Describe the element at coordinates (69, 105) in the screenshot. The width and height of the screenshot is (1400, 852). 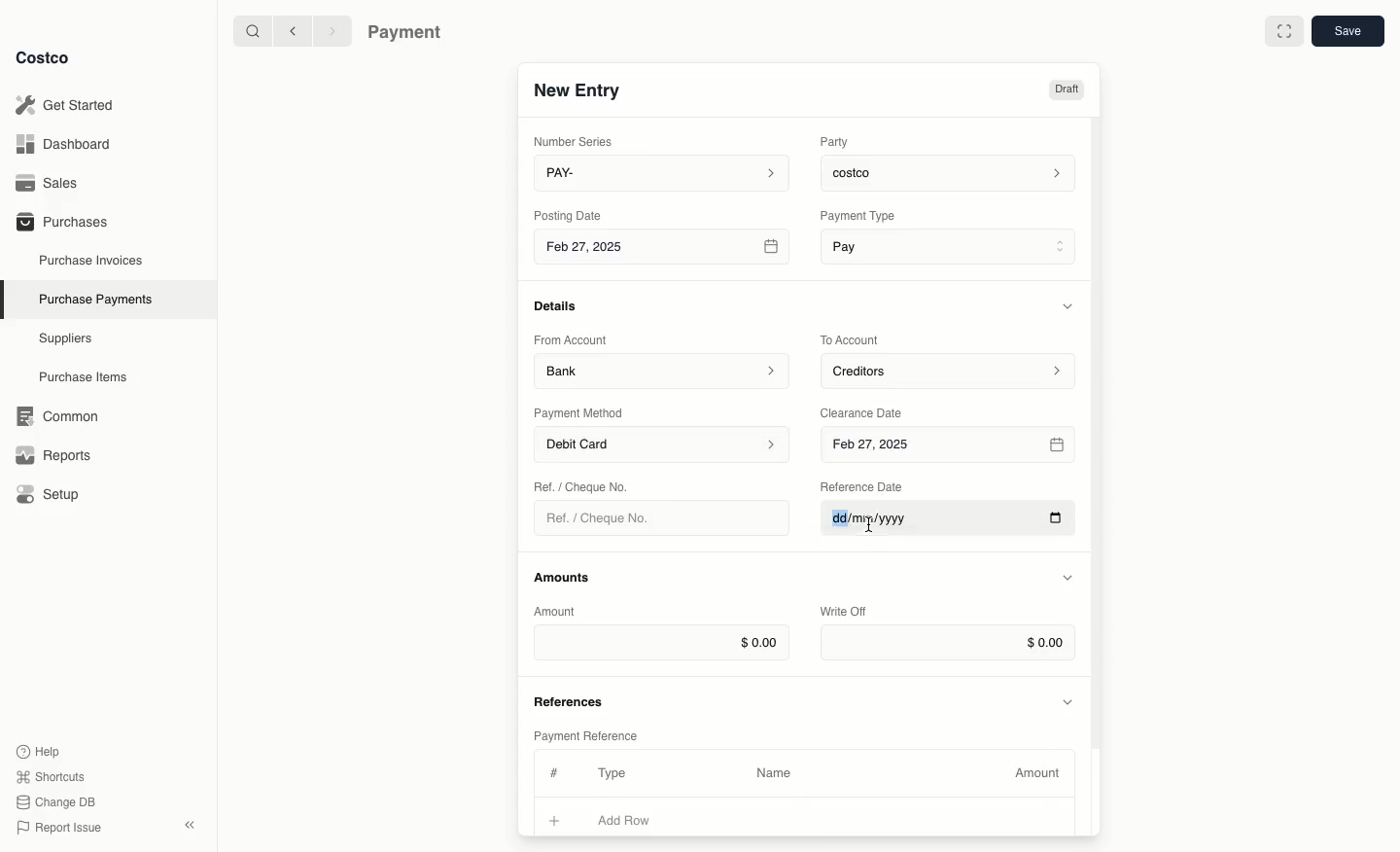
I see `Get Started` at that location.